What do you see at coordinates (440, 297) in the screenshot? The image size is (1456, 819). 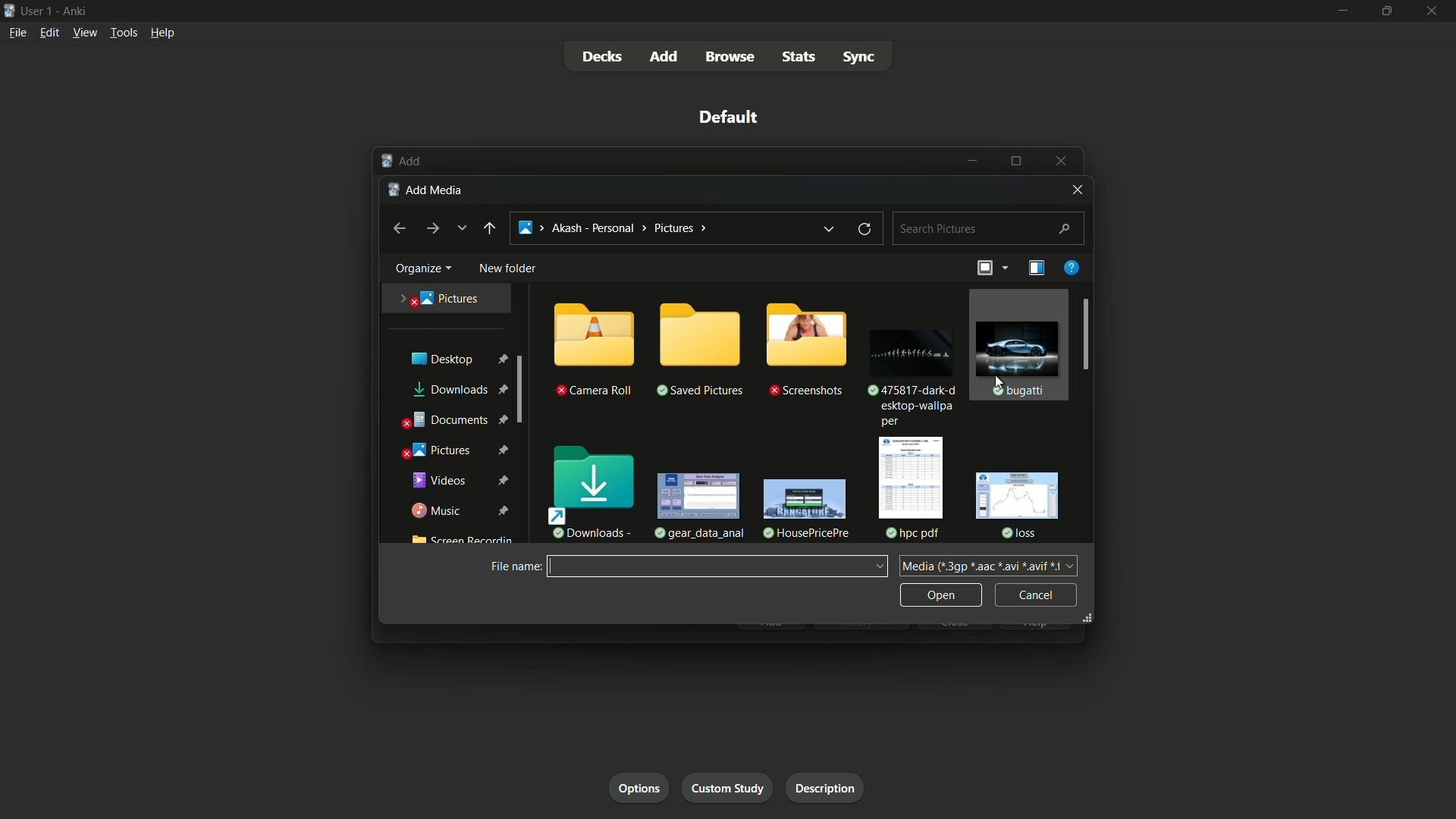 I see `pictures` at bounding box center [440, 297].